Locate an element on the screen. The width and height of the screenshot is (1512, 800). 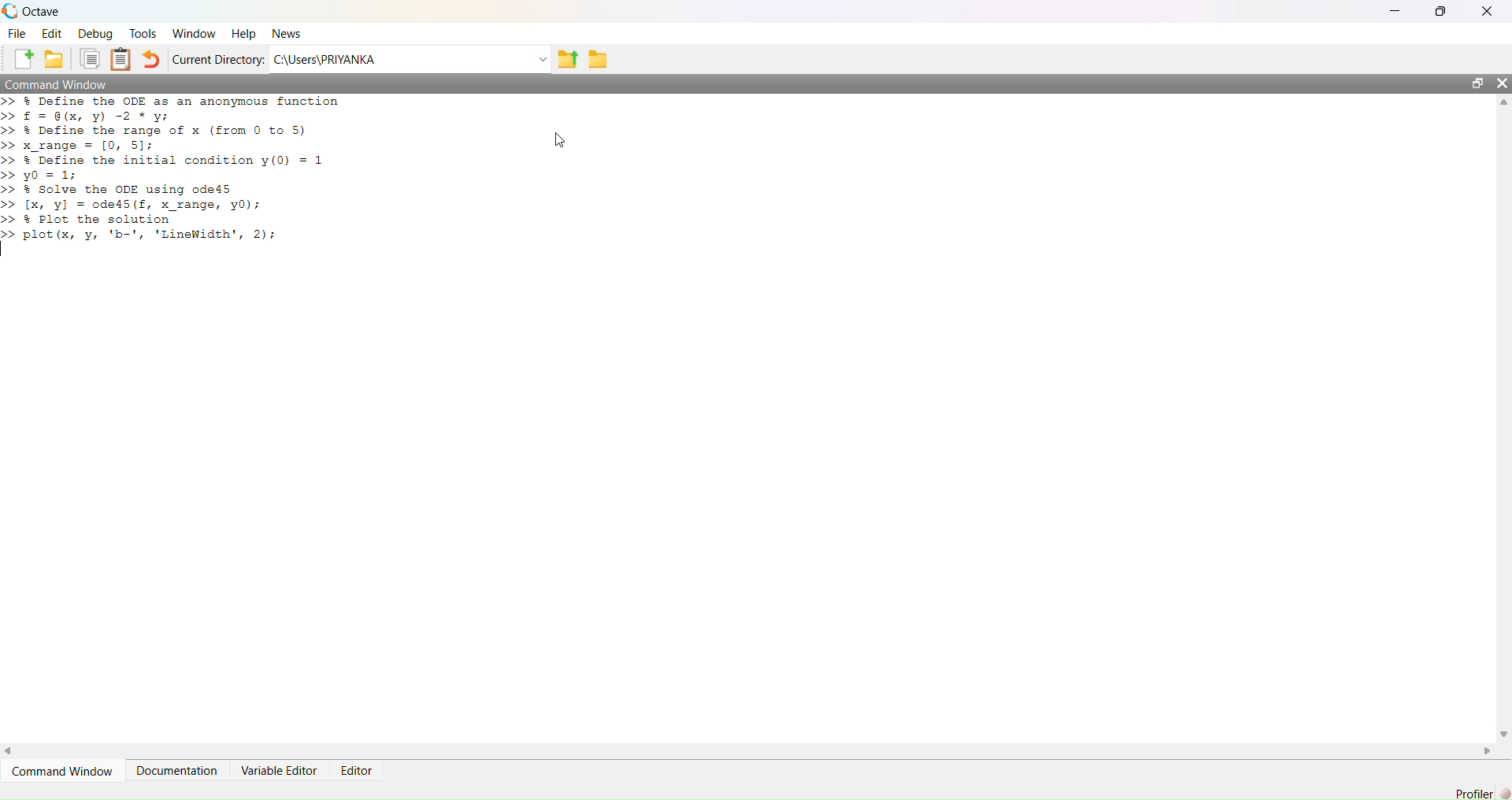
restore is located at coordinates (1441, 12).